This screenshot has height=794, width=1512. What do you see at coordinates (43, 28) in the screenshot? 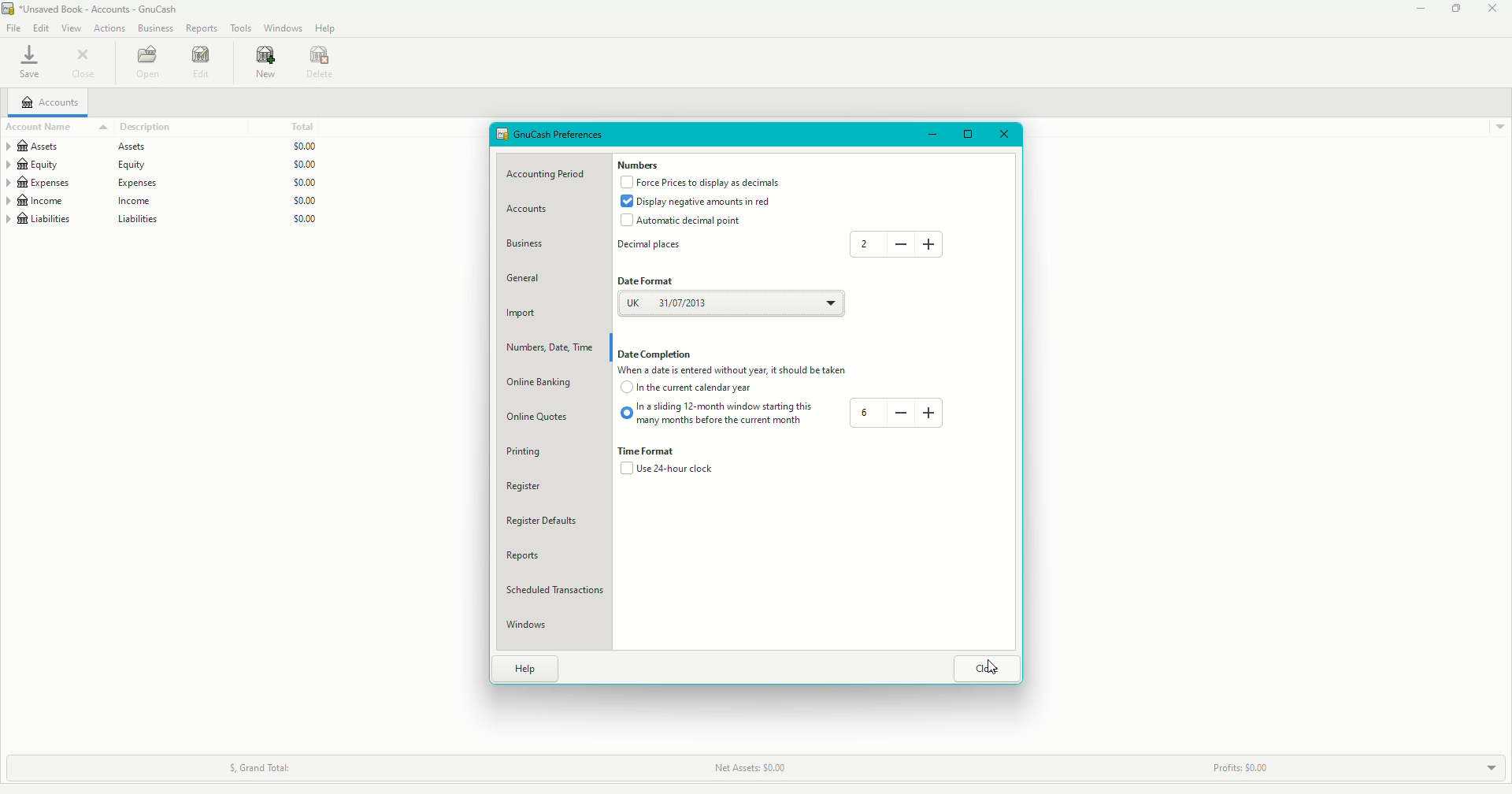
I see `Edit` at bounding box center [43, 28].